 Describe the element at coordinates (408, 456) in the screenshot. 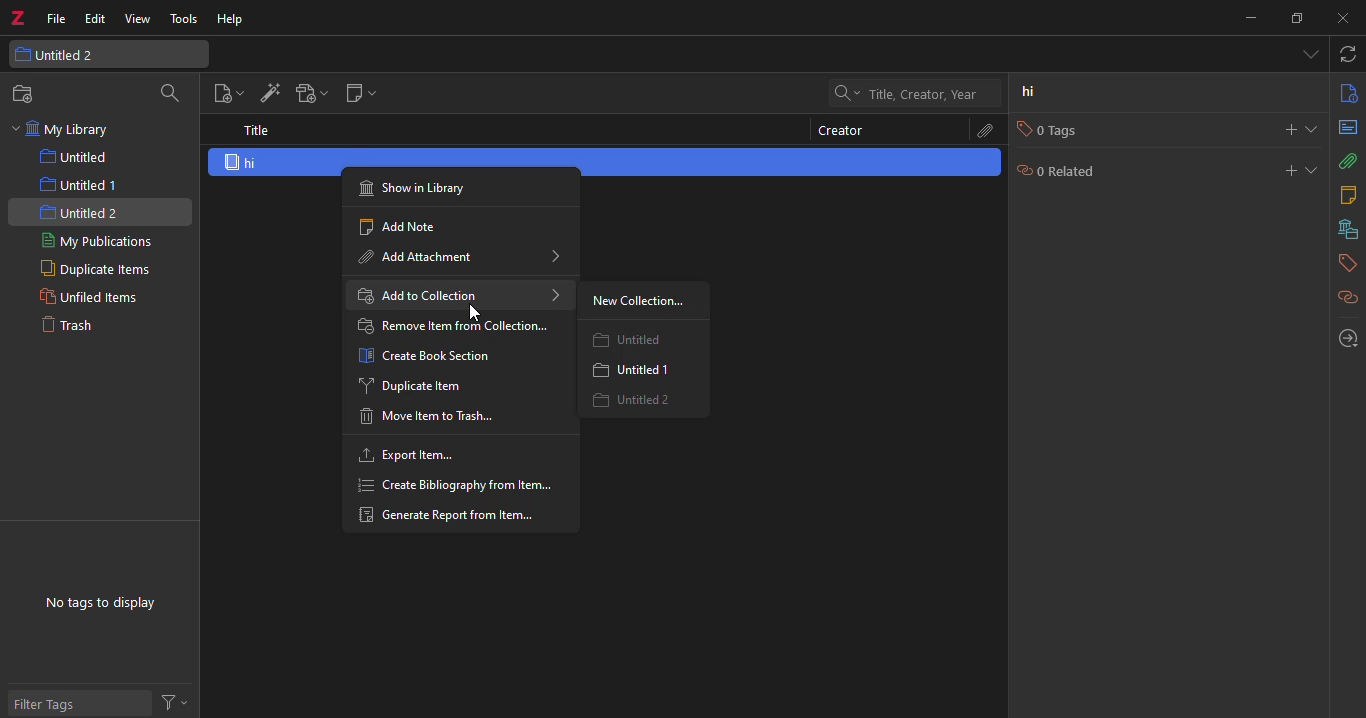

I see `export item` at that location.